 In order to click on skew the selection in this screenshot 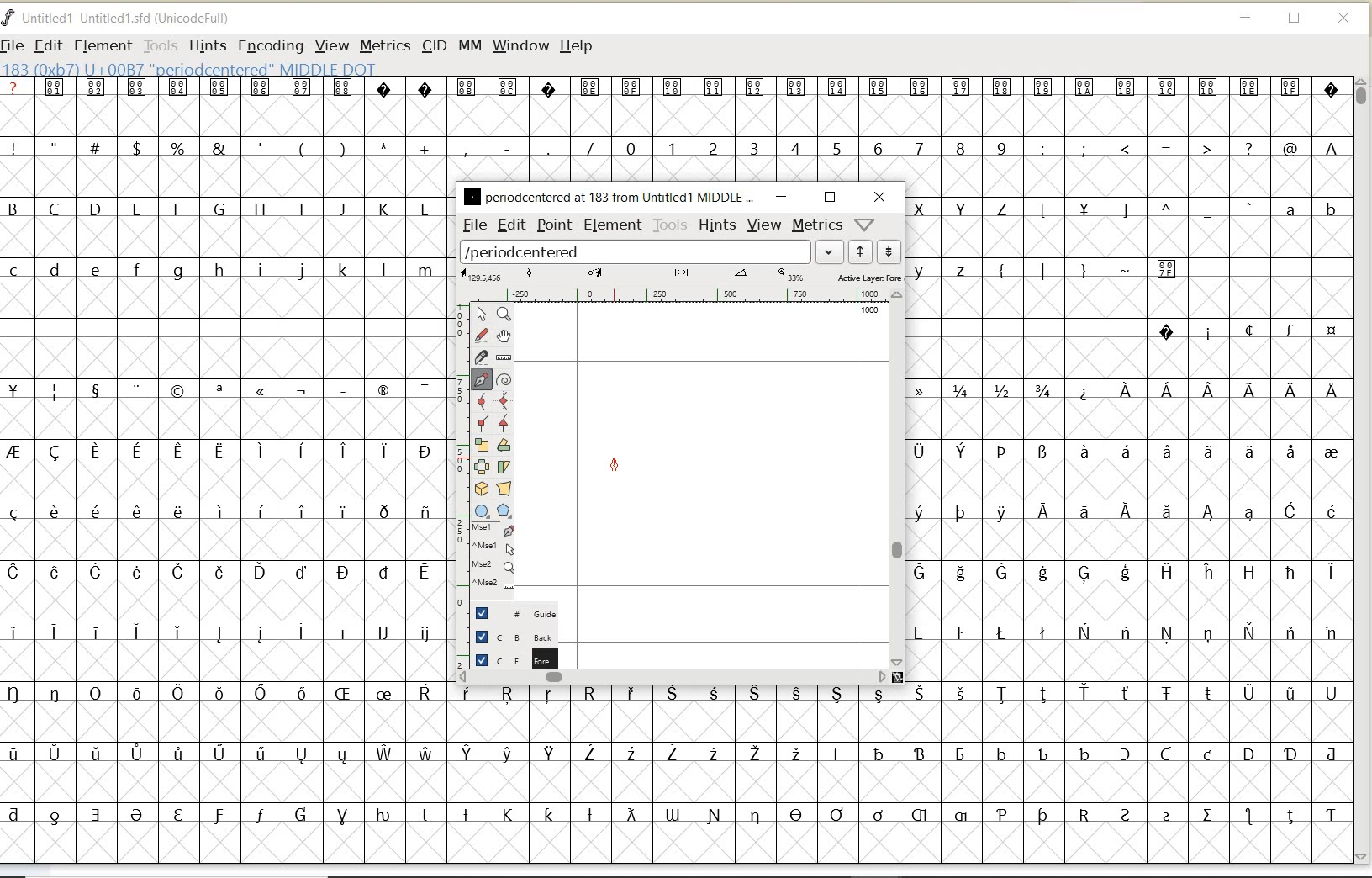, I will do `click(504, 465)`.